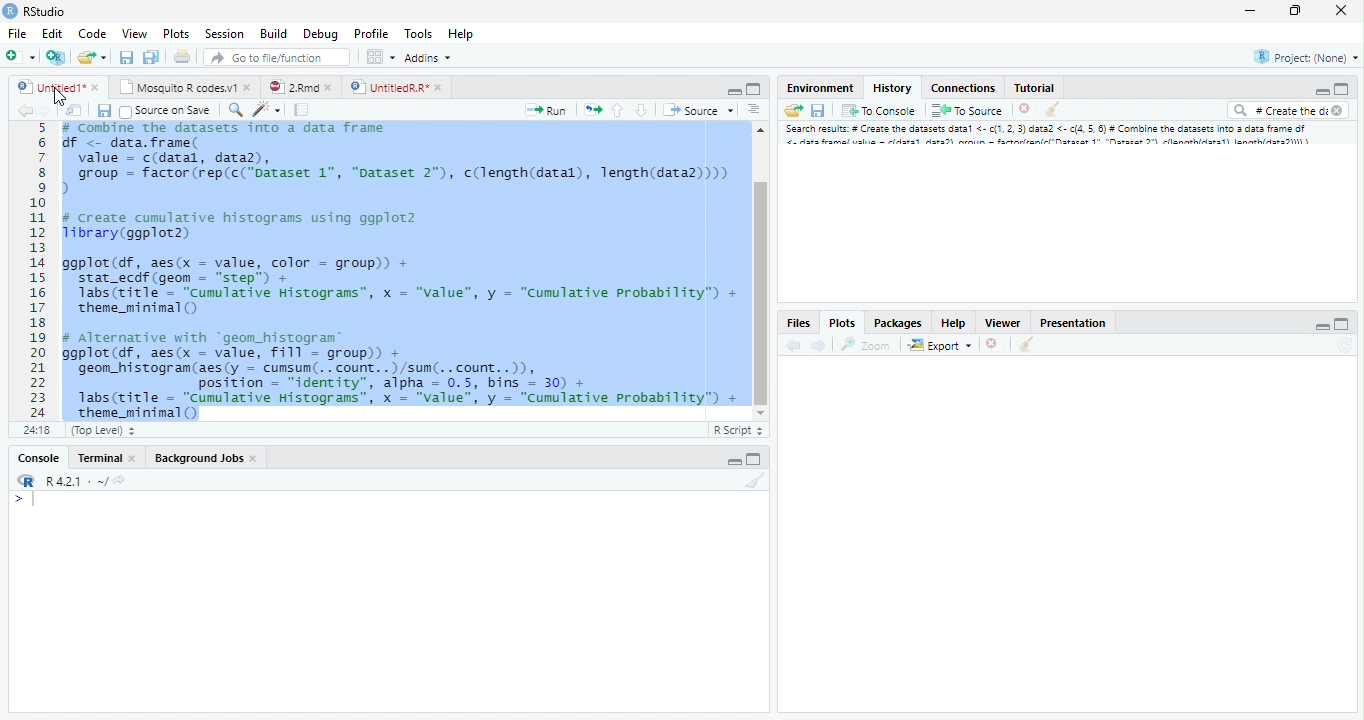 The height and width of the screenshot is (720, 1364). Describe the element at coordinates (1052, 137) in the screenshot. I see `Search result # create dataset data..` at that location.